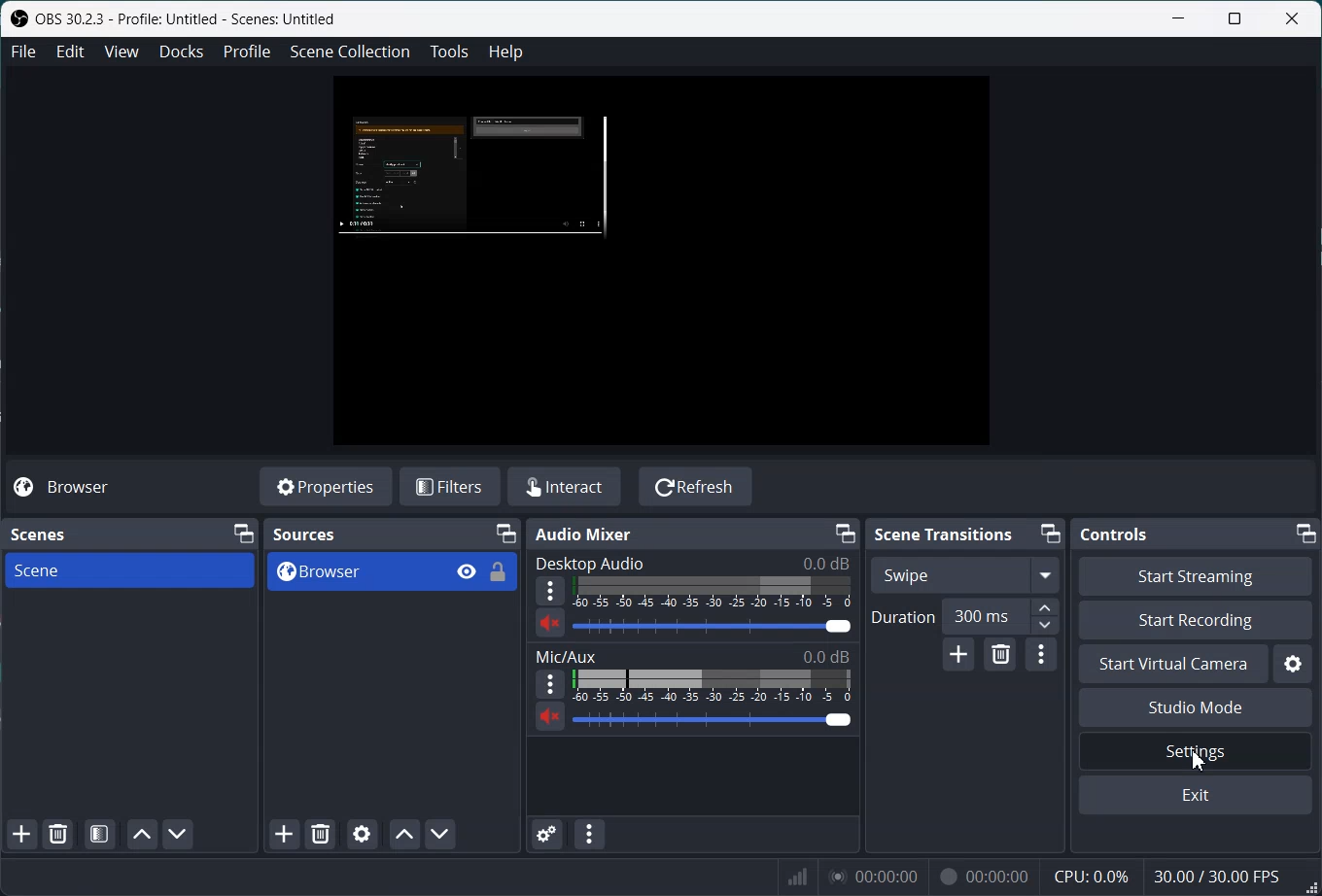 The width and height of the screenshot is (1322, 896). I want to click on Move Scene down, so click(180, 834).